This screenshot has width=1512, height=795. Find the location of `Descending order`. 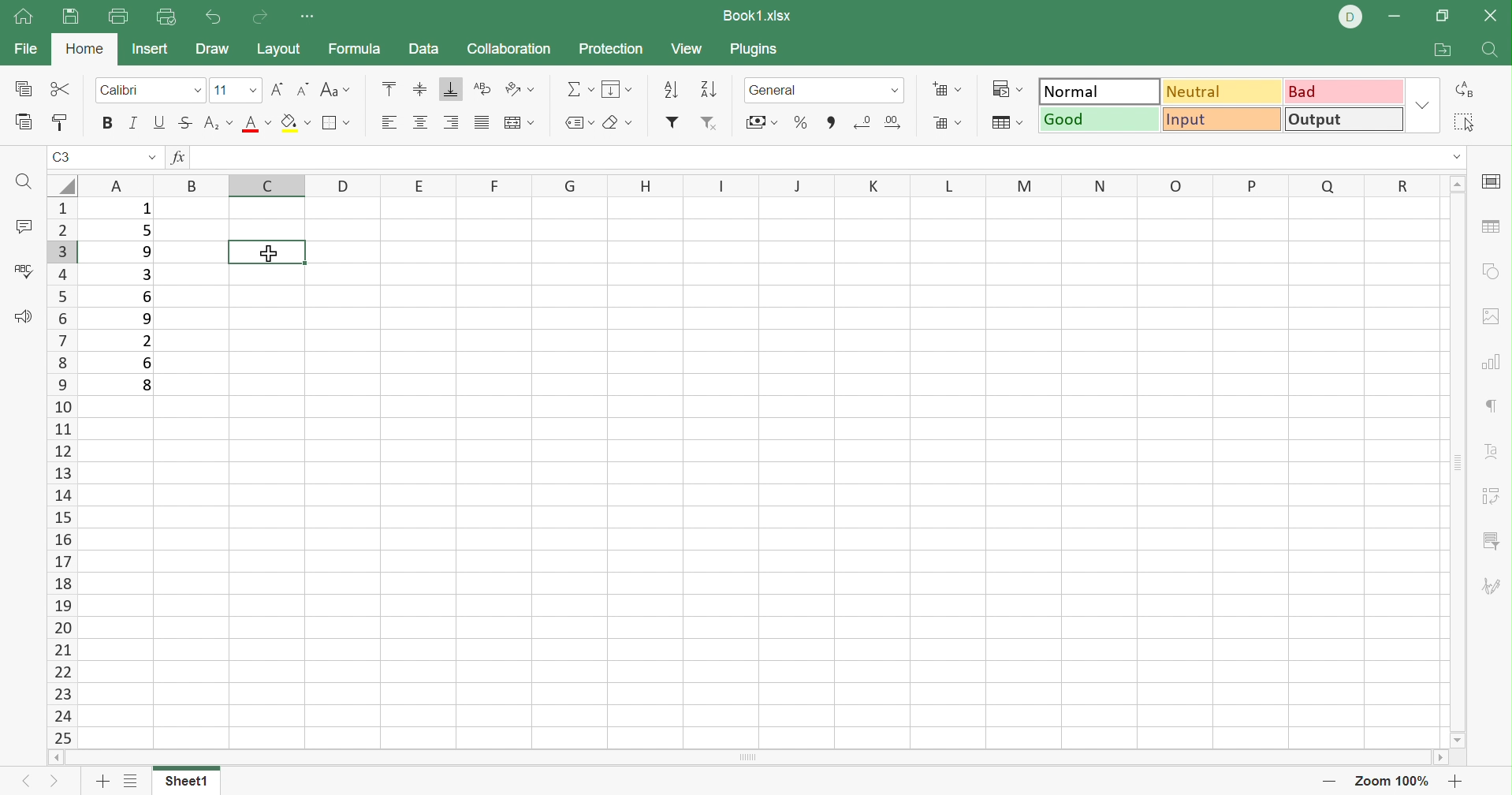

Descending order is located at coordinates (709, 90).